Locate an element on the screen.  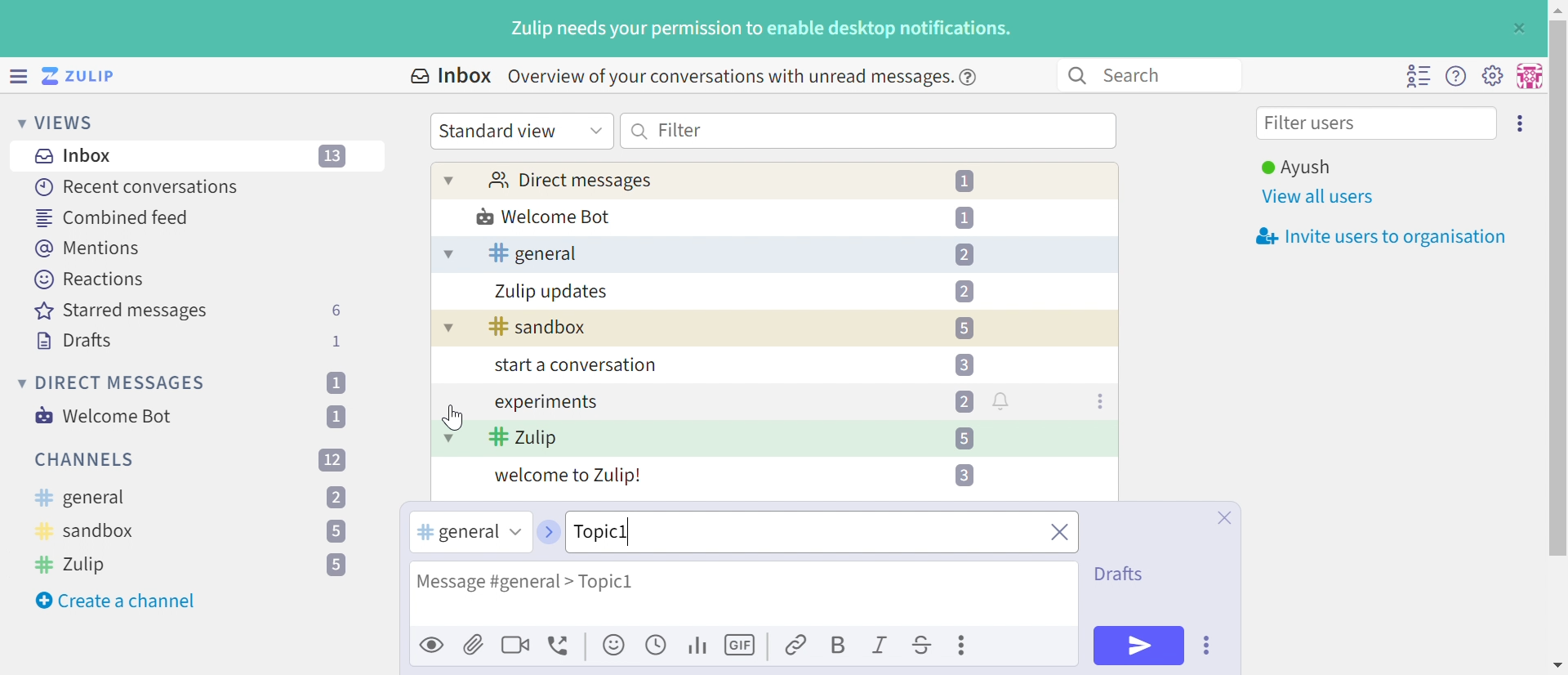
Reactions is located at coordinates (89, 279).